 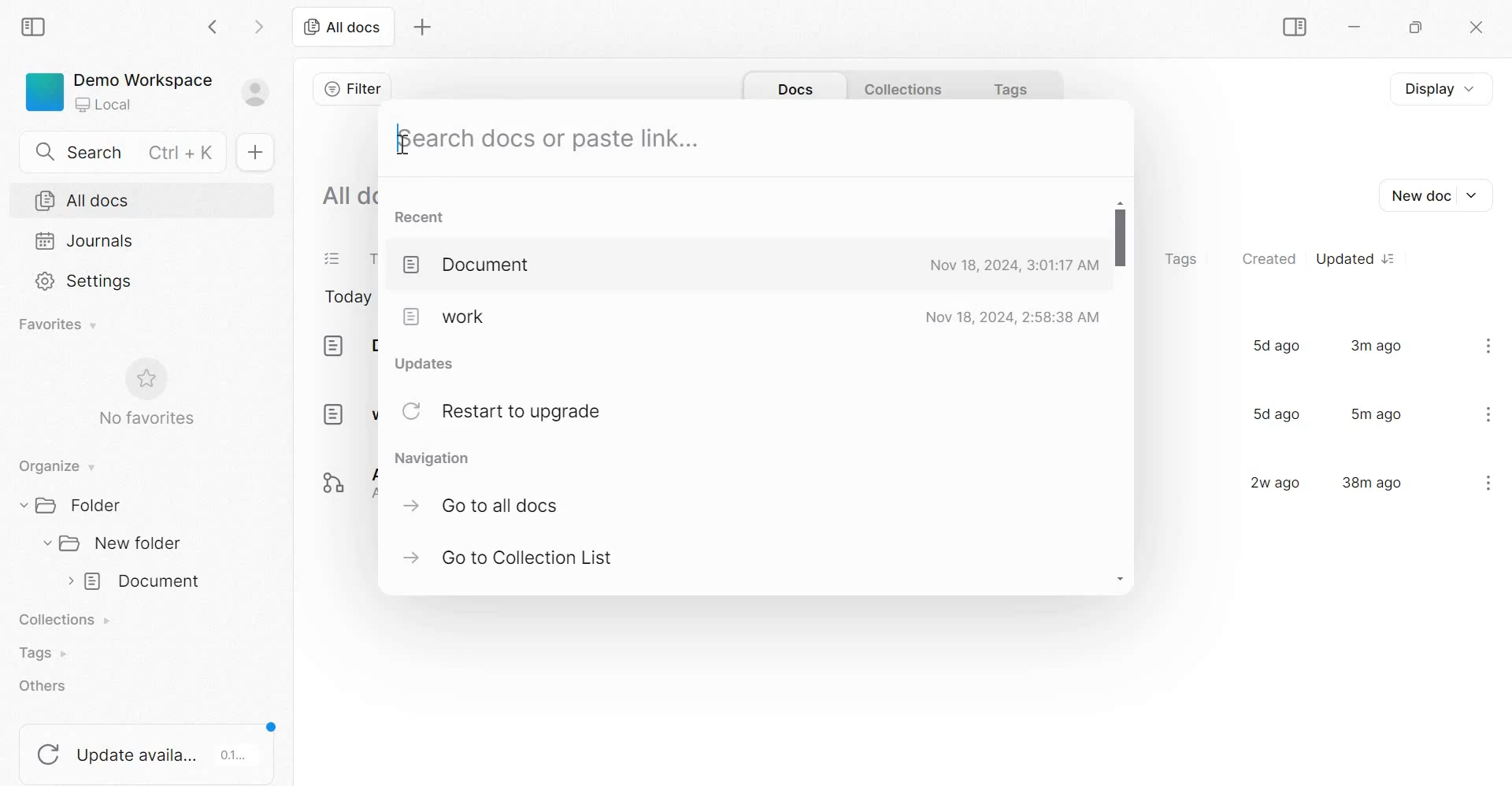 What do you see at coordinates (135, 583) in the screenshot?
I see `Document` at bounding box center [135, 583].